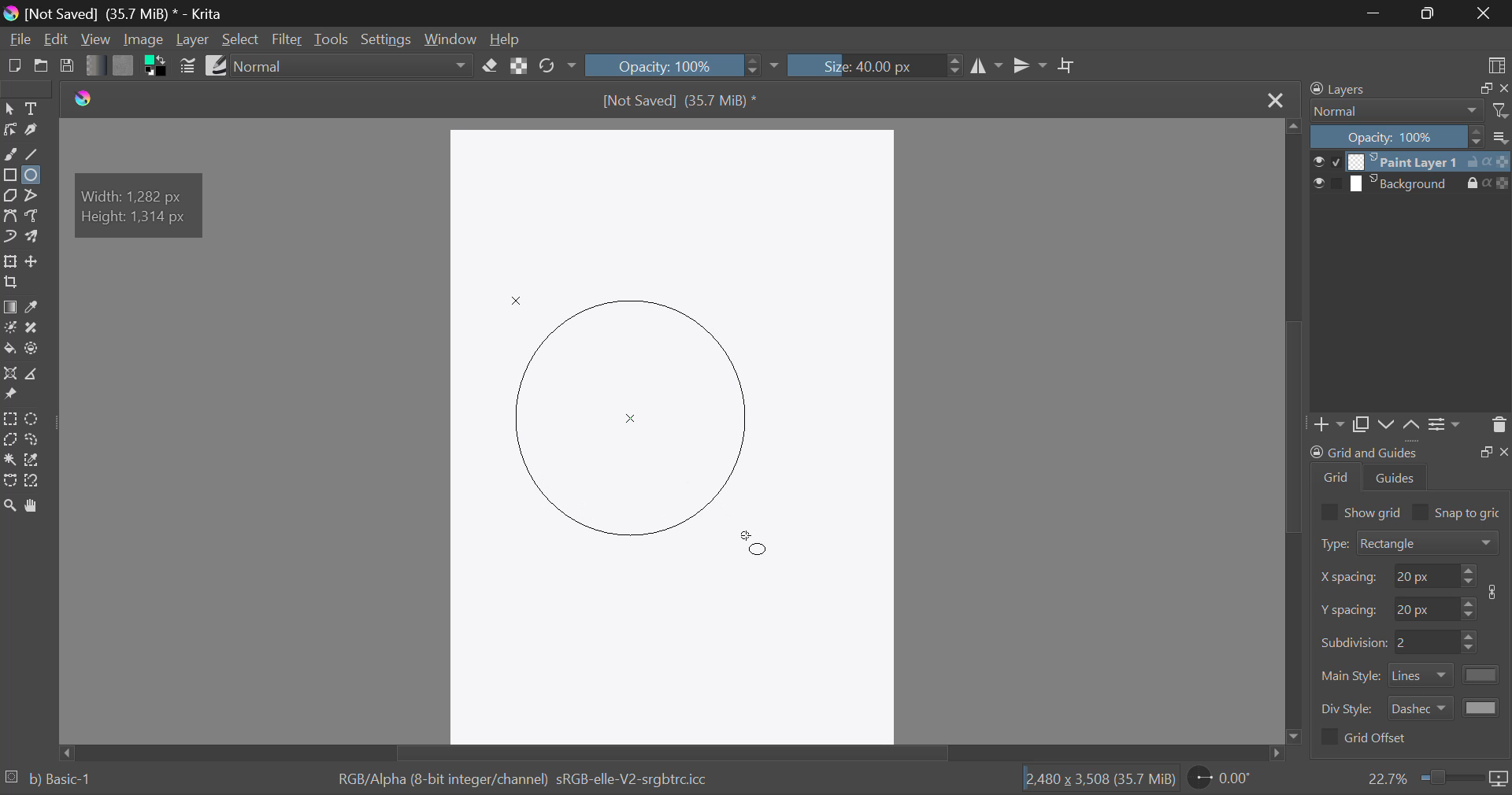 The image size is (1512, 795). What do you see at coordinates (32, 328) in the screenshot?
I see `Smart Patch Tool` at bounding box center [32, 328].